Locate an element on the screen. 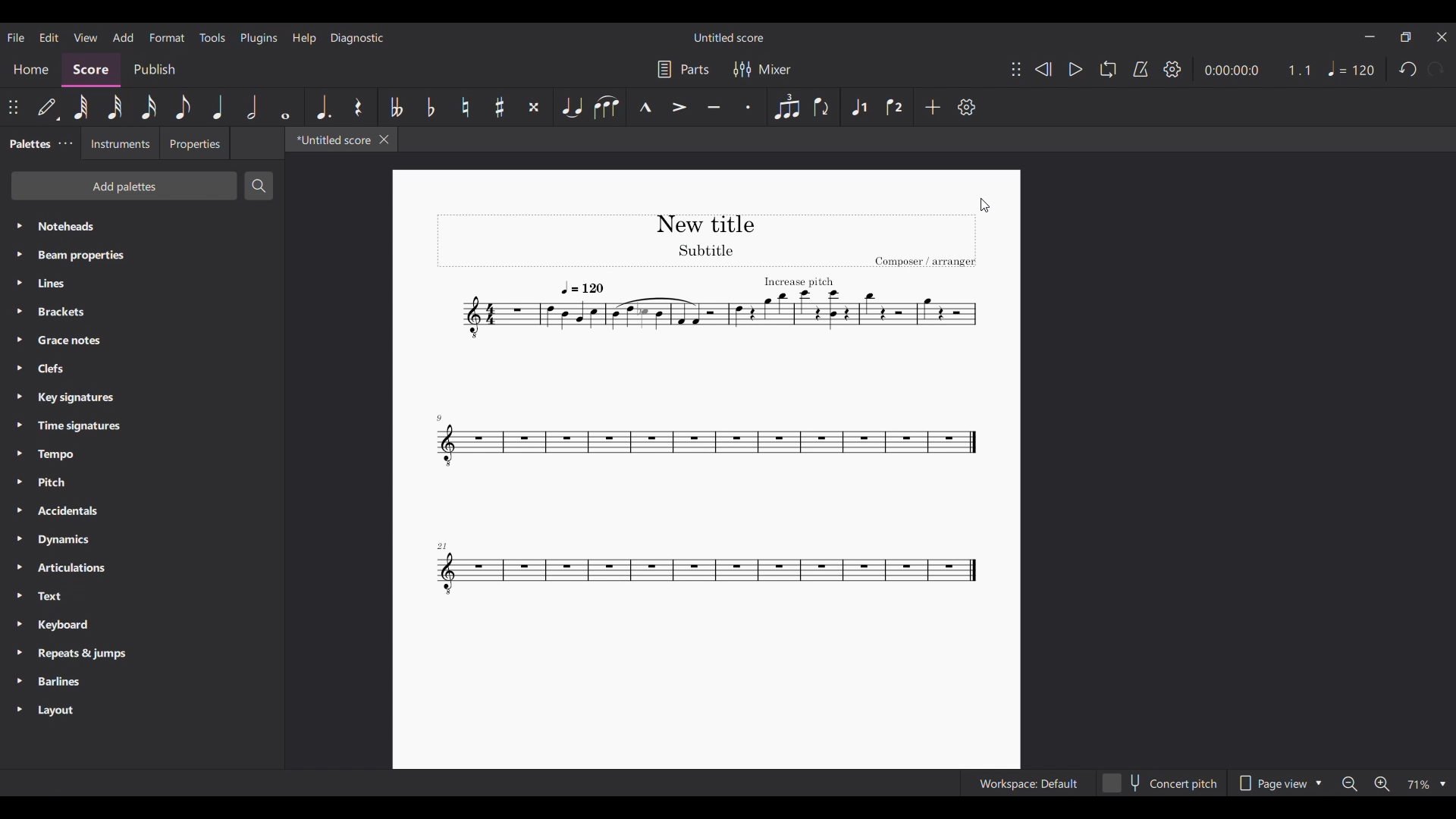  Toggle double flat is located at coordinates (395, 108).